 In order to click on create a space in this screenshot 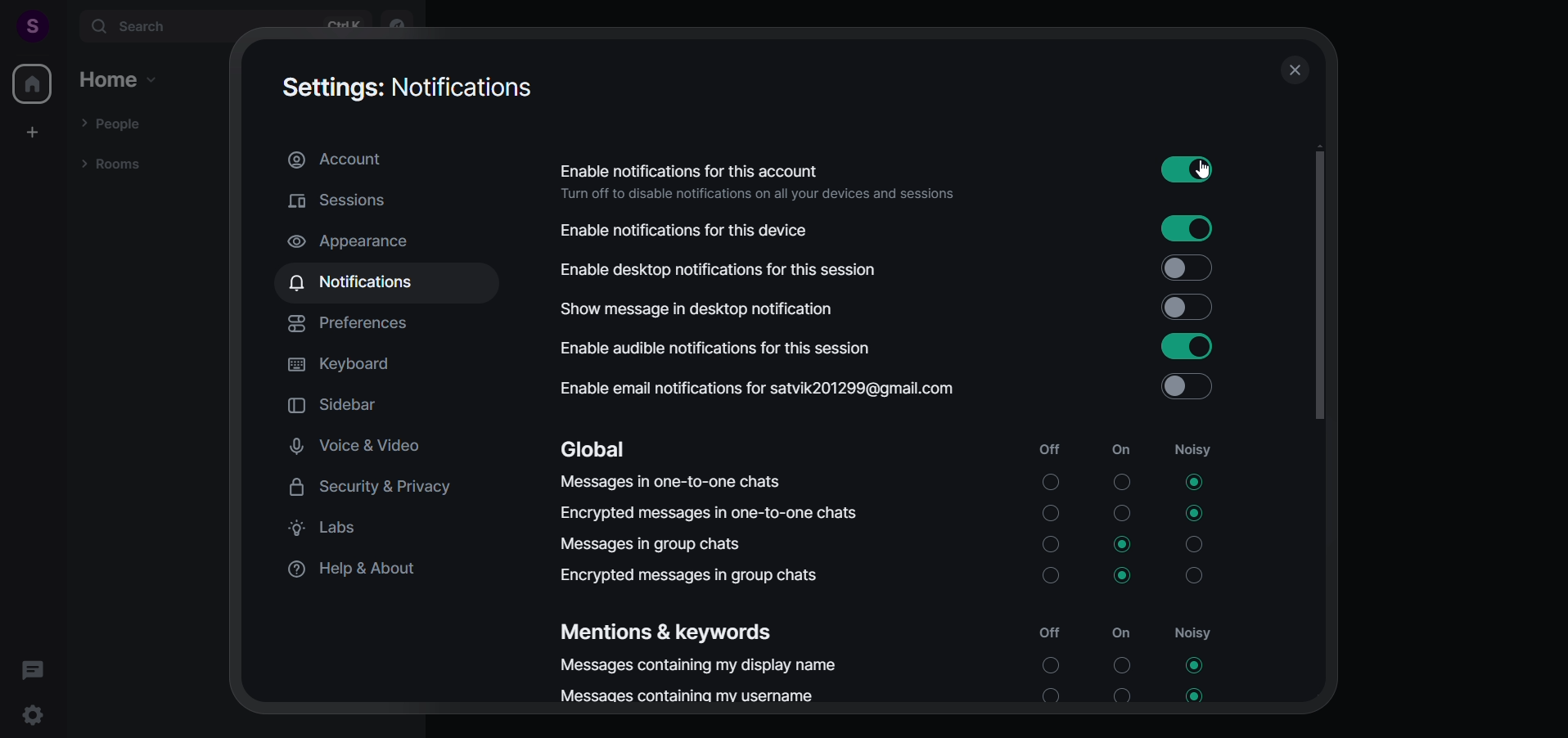, I will do `click(34, 131)`.